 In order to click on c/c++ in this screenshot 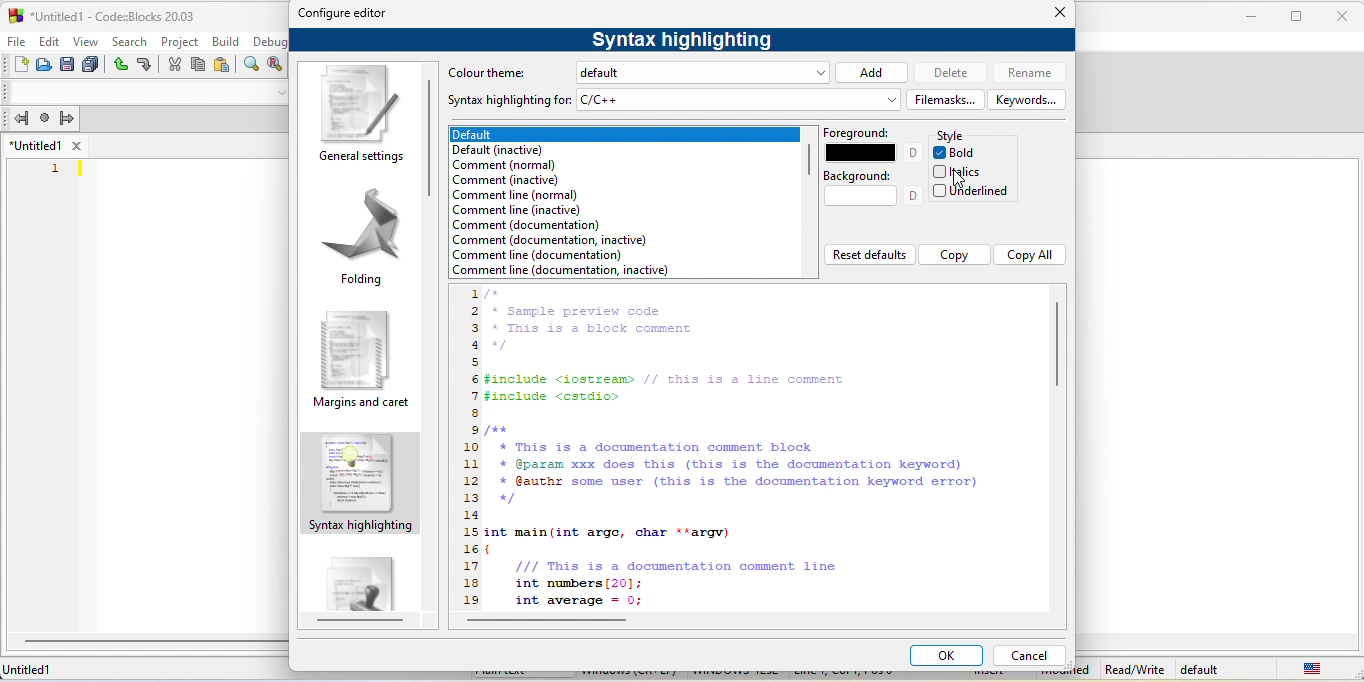, I will do `click(737, 100)`.